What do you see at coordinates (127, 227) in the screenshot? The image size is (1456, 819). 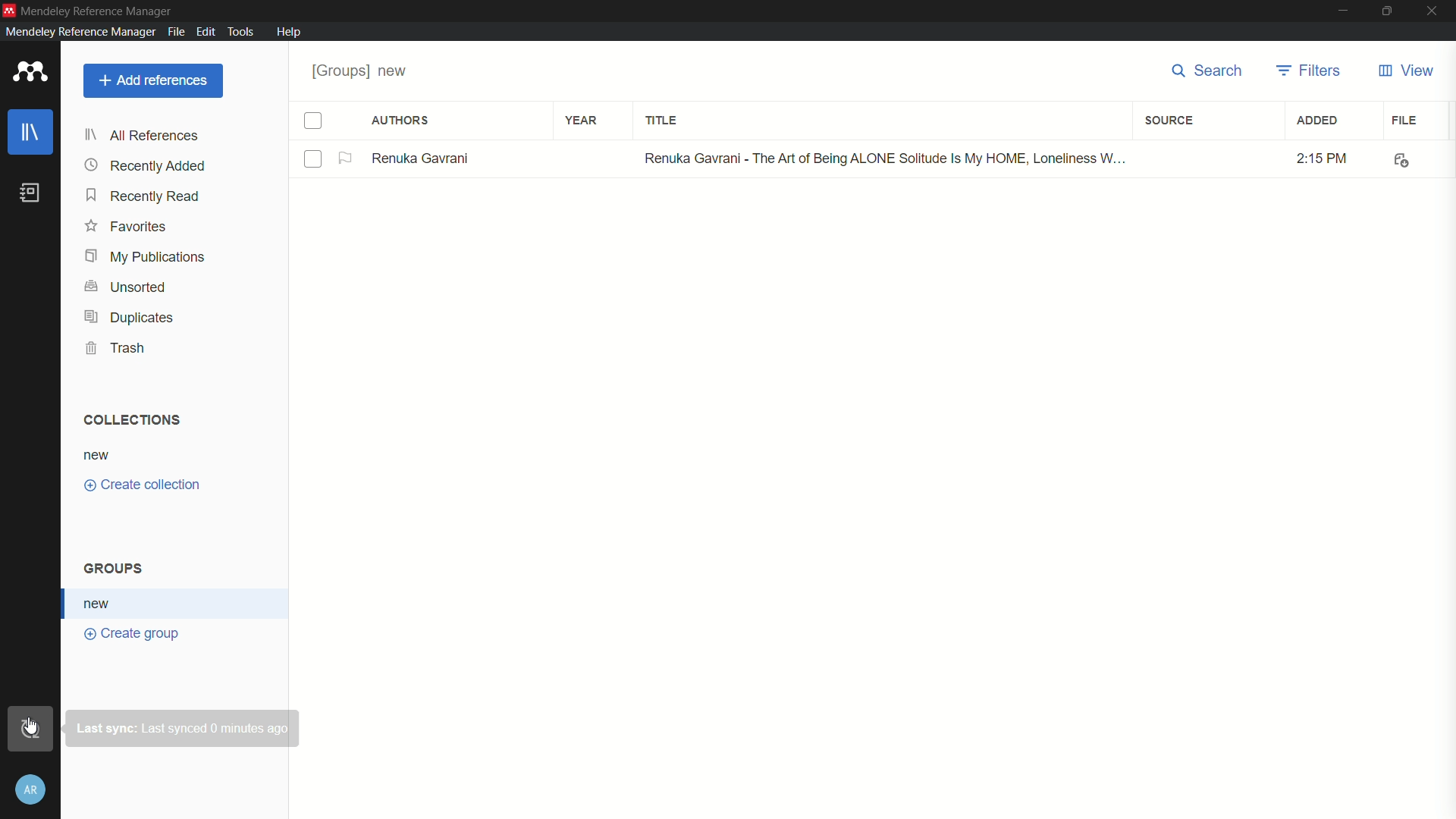 I see `favorites` at bounding box center [127, 227].